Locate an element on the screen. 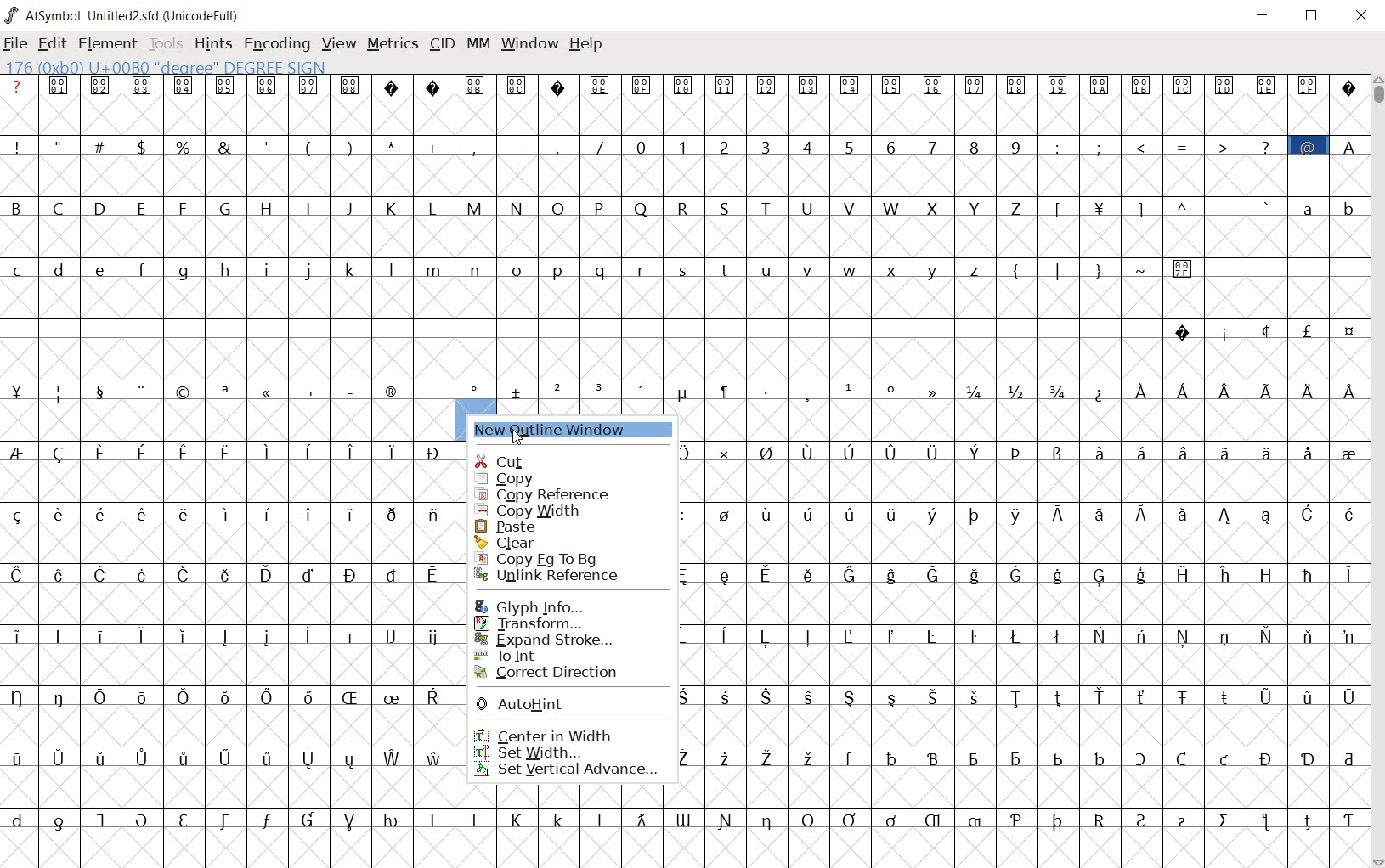 The height and width of the screenshot is (868, 1385).  is located at coordinates (224, 573).